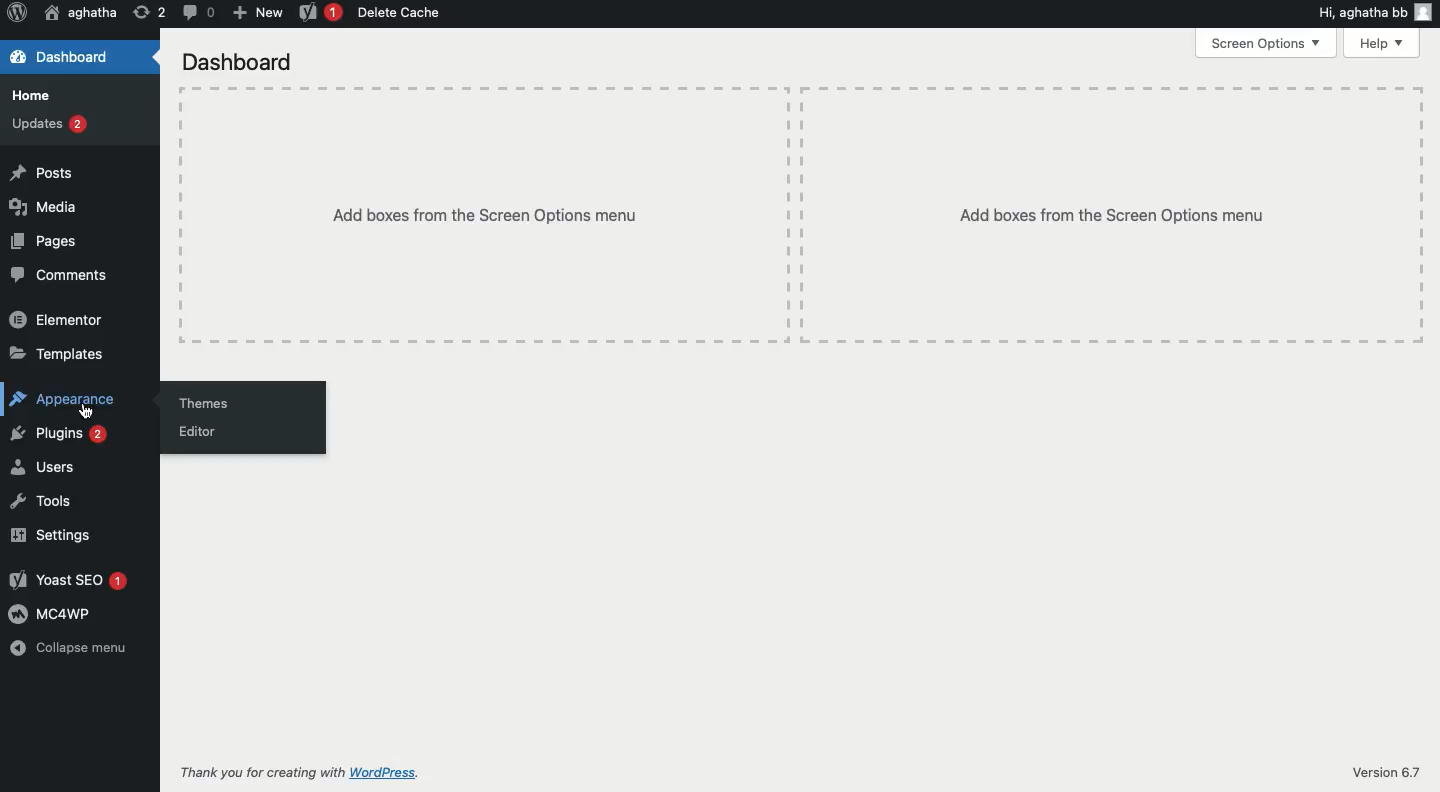 This screenshot has width=1440, height=792. Describe the element at coordinates (42, 502) in the screenshot. I see `Tools` at that location.